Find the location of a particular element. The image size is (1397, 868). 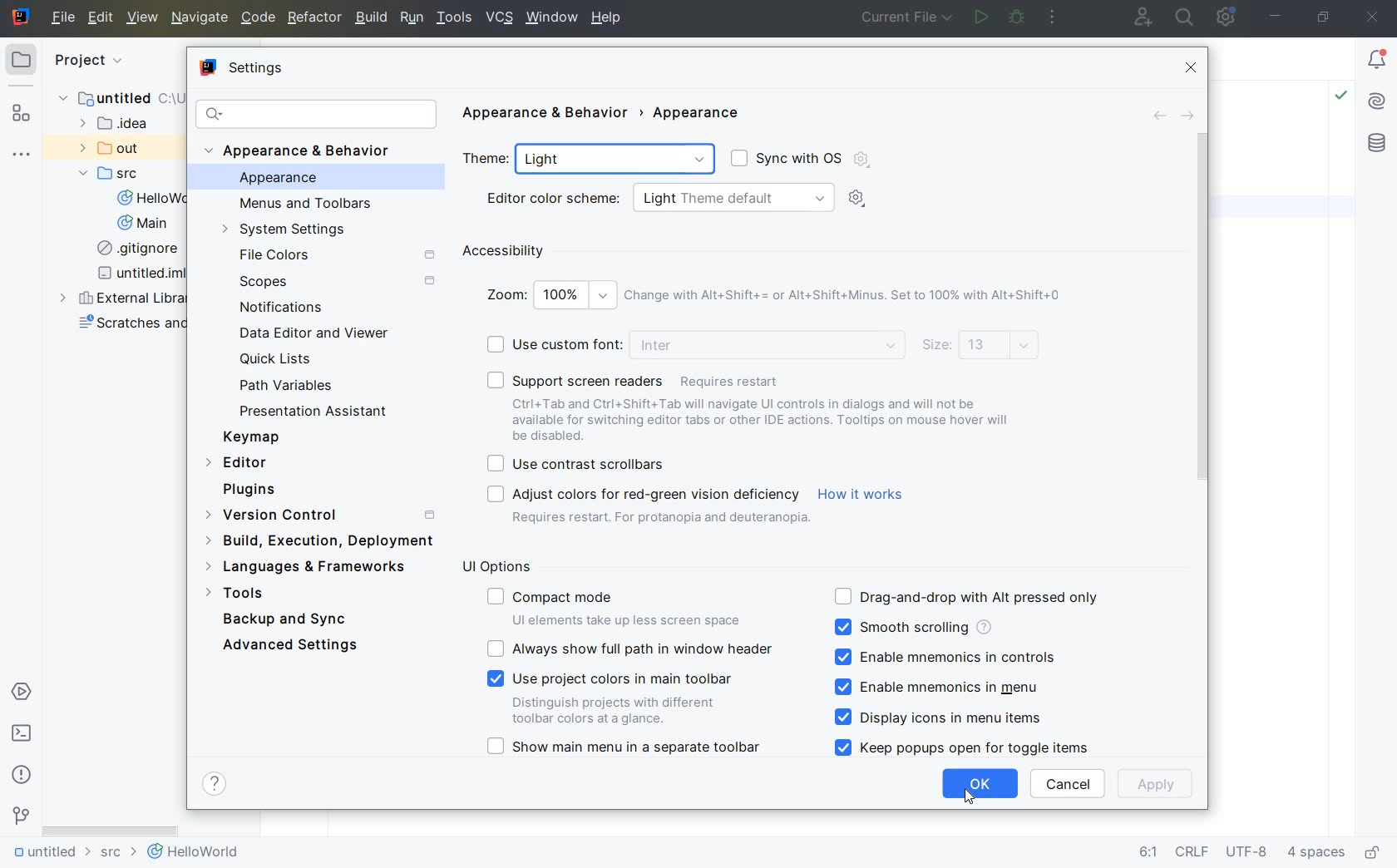

HELP is located at coordinates (608, 18).